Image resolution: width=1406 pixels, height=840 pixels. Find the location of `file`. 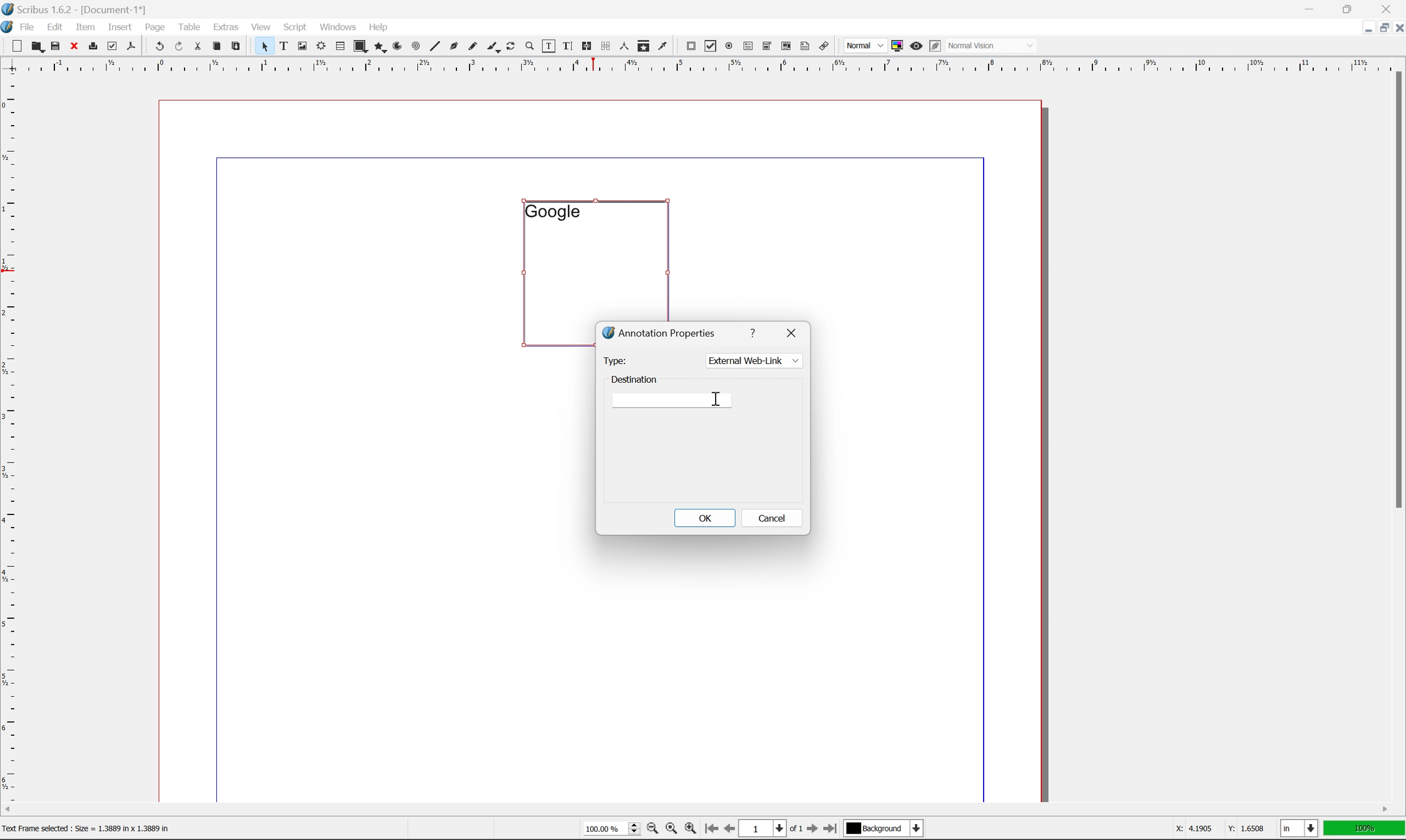

file is located at coordinates (28, 27).